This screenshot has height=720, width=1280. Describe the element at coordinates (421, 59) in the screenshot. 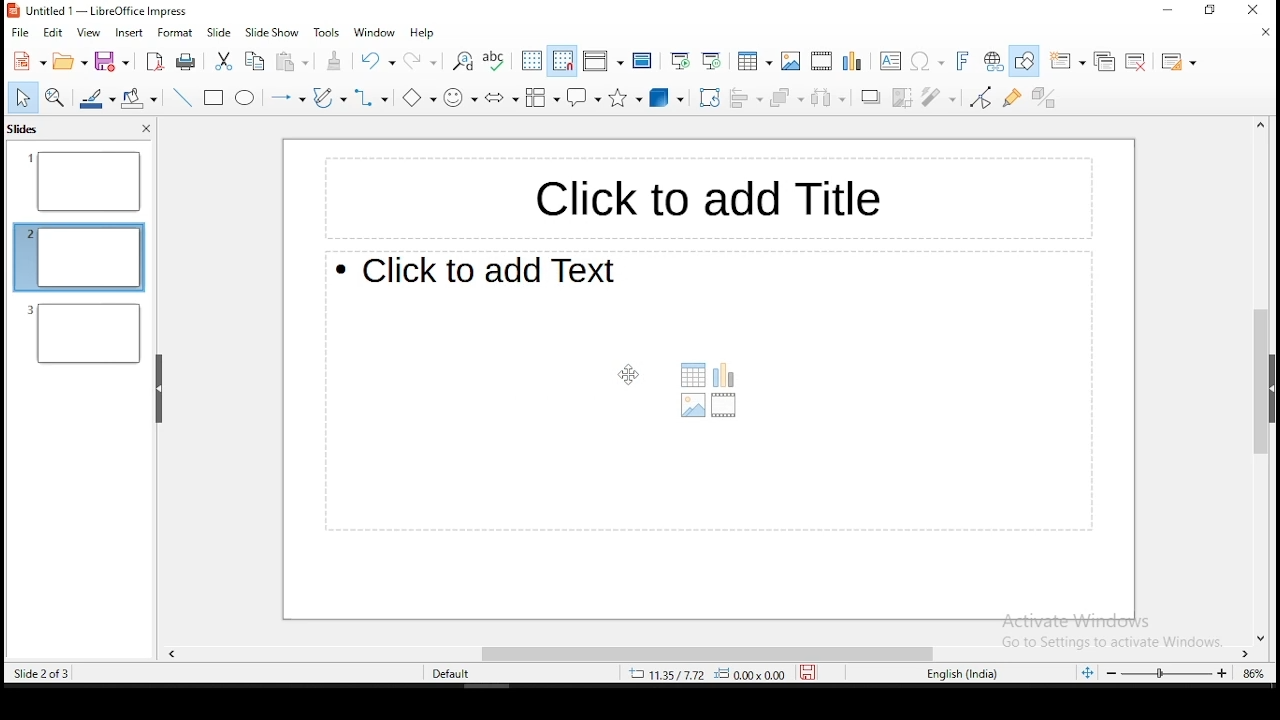

I see `redo` at that location.